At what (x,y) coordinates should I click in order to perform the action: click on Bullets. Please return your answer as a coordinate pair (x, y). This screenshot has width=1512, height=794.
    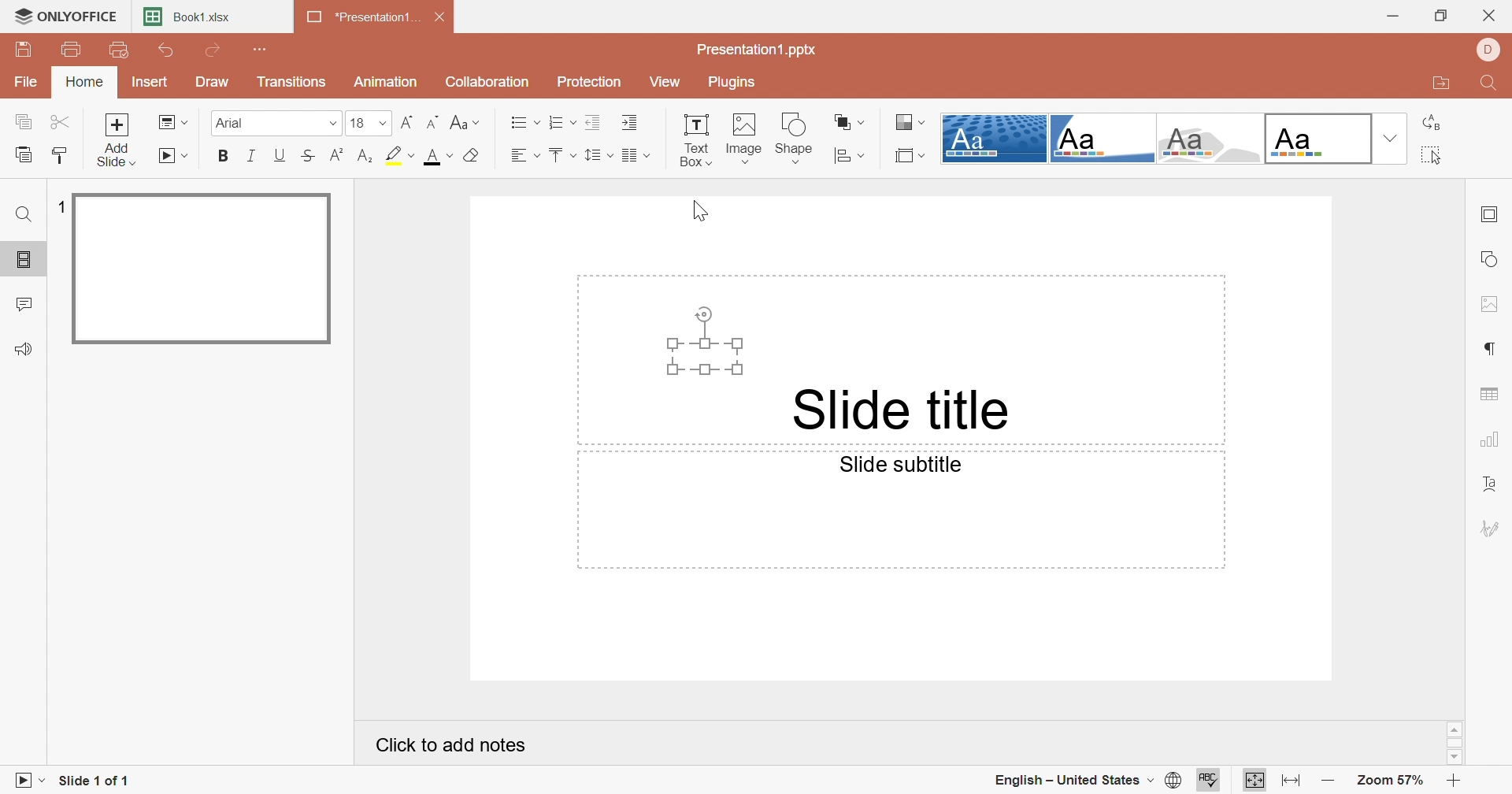
    Looking at the image, I should click on (524, 124).